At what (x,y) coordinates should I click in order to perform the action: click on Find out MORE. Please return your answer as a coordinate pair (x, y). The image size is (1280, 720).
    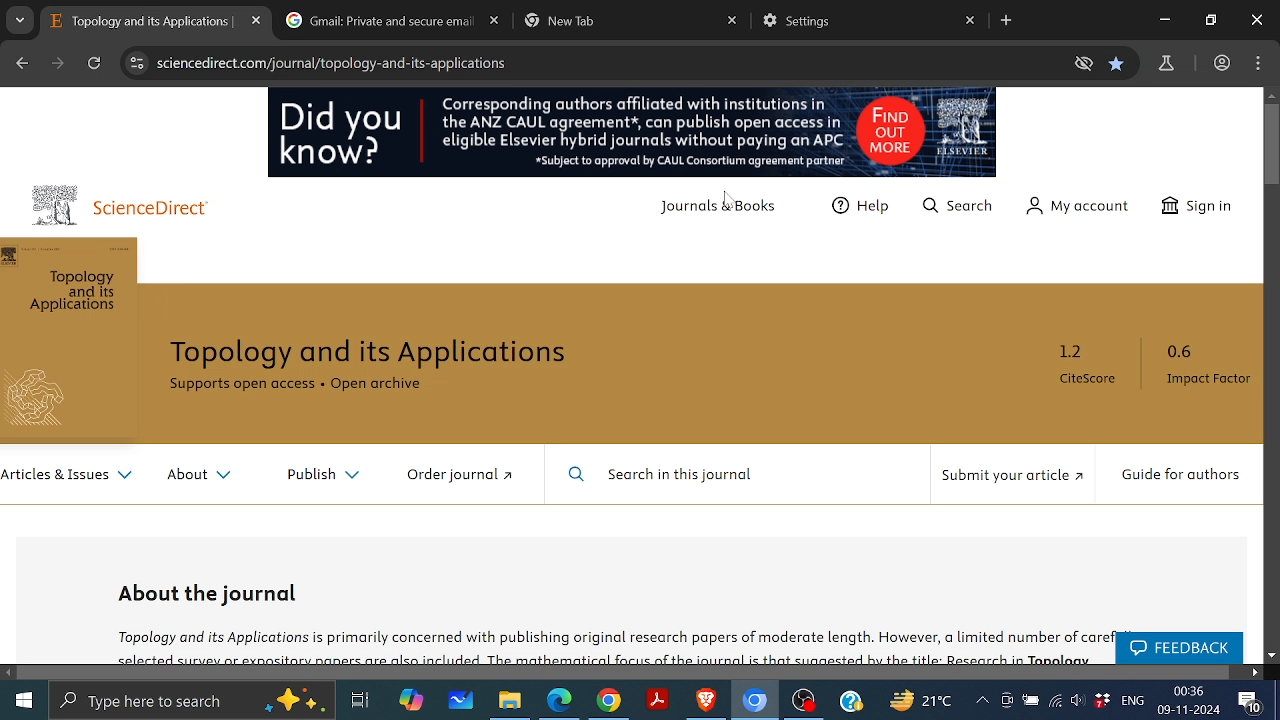
    Looking at the image, I should click on (890, 129).